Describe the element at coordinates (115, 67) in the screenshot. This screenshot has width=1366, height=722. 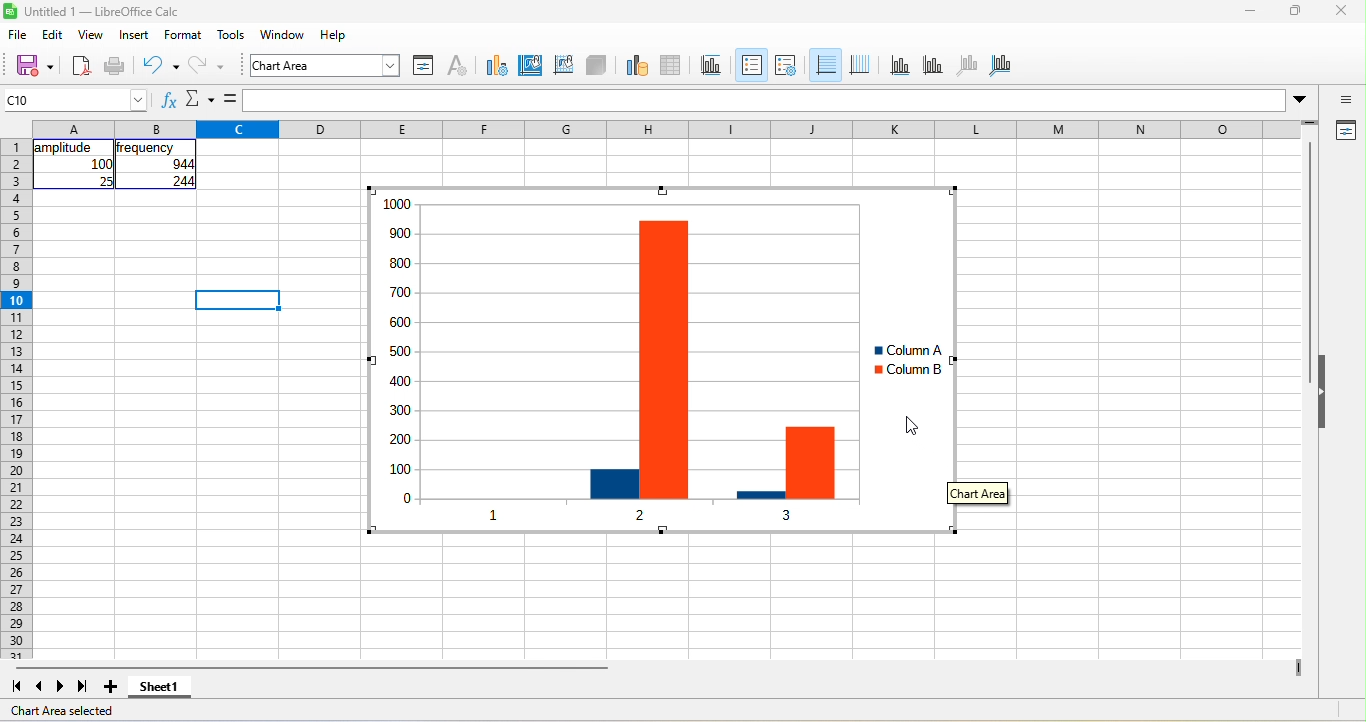
I see `print` at that location.